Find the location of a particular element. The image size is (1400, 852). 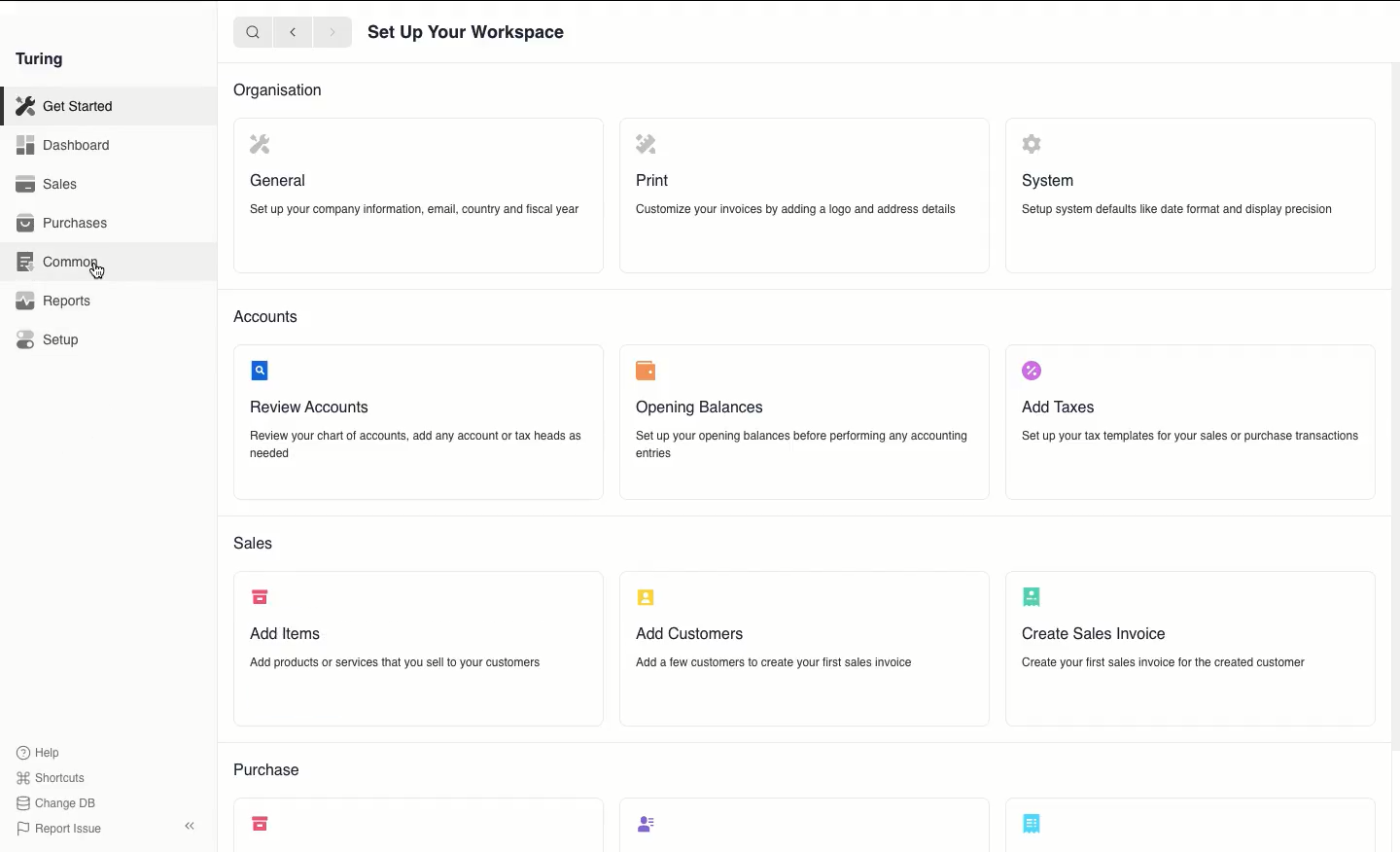

cursor is located at coordinates (99, 271).